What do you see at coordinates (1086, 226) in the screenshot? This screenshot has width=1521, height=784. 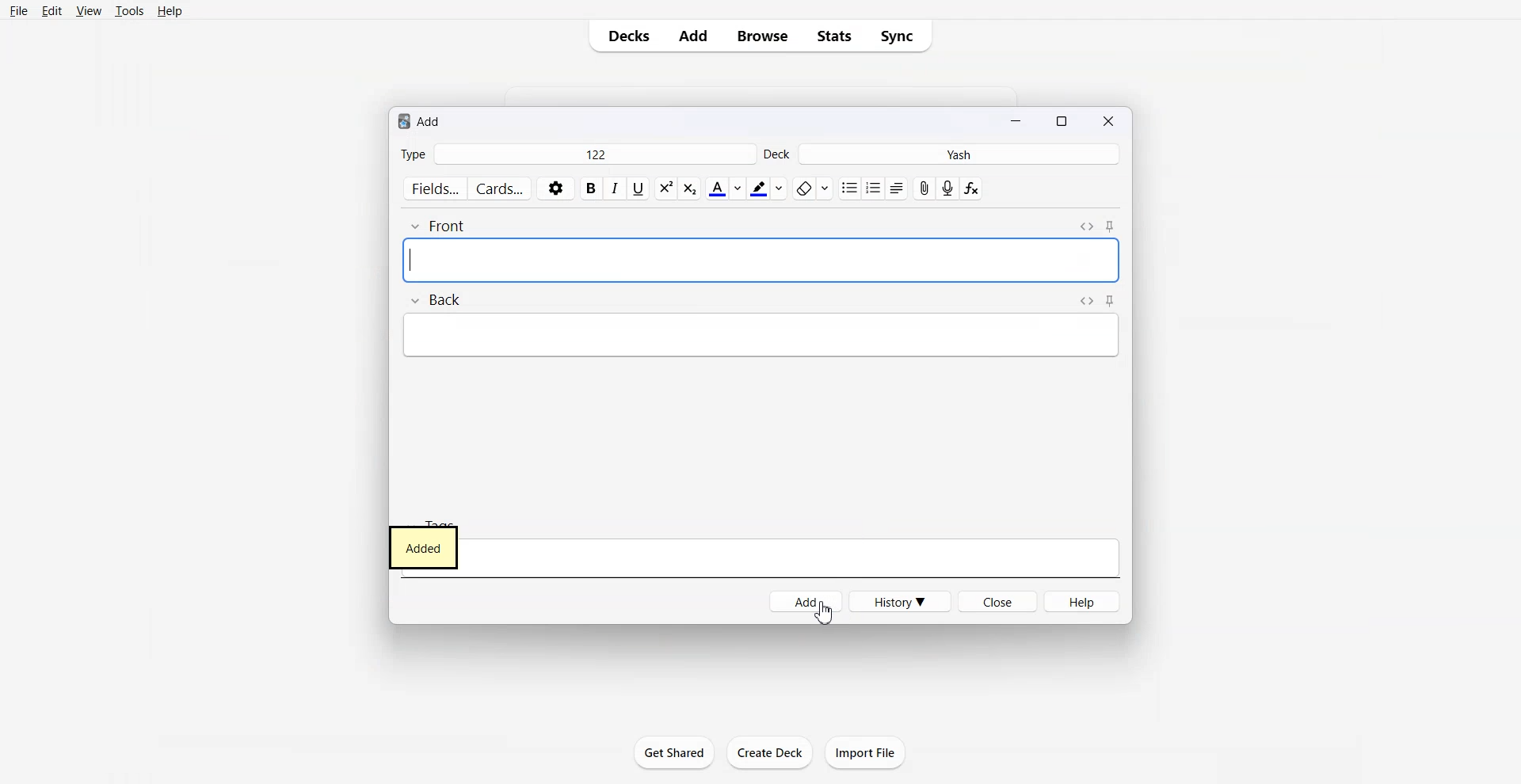 I see `Toggle HTML Editor` at bounding box center [1086, 226].